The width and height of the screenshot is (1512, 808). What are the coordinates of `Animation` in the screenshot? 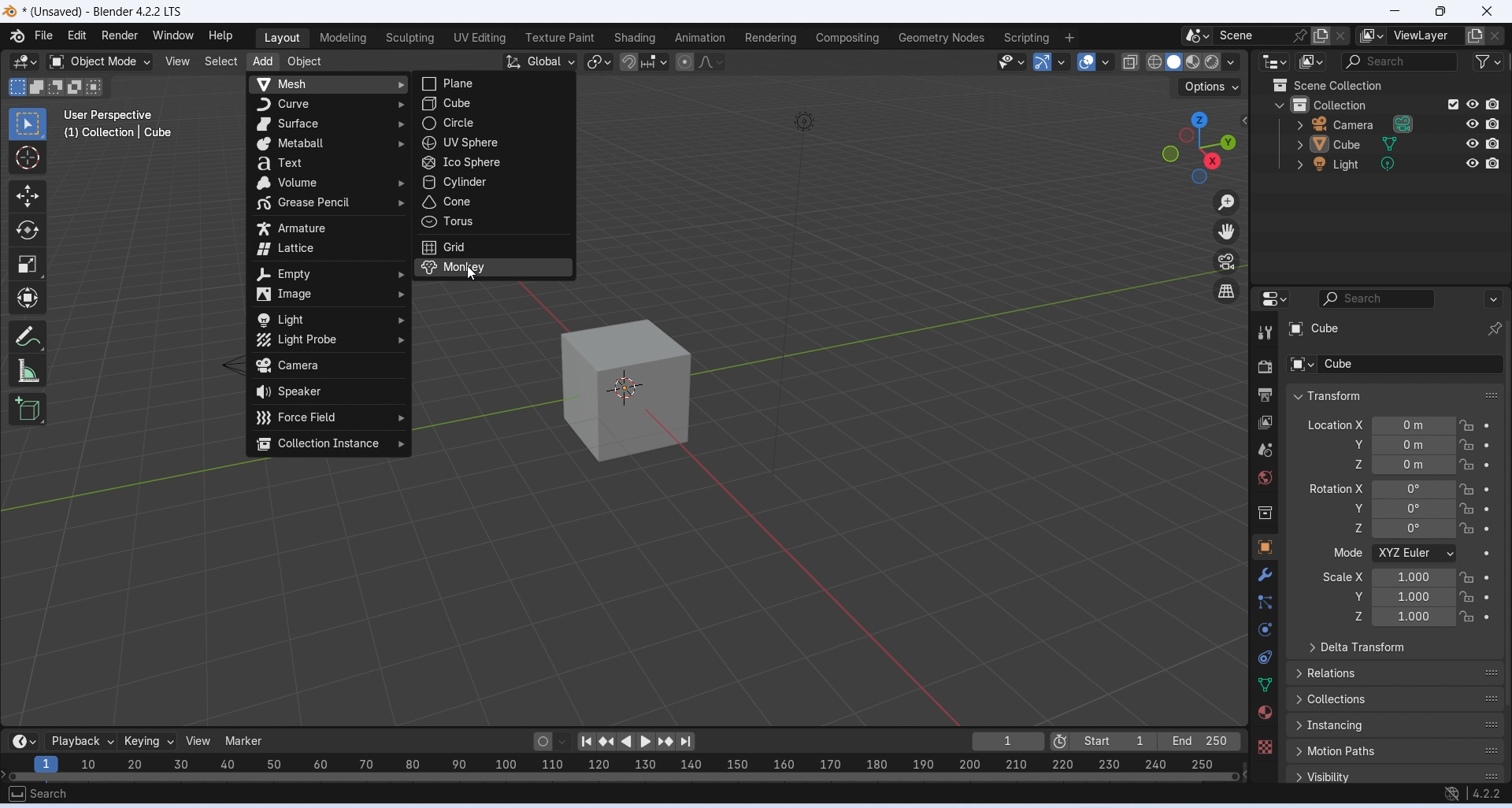 It's located at (699, 37).